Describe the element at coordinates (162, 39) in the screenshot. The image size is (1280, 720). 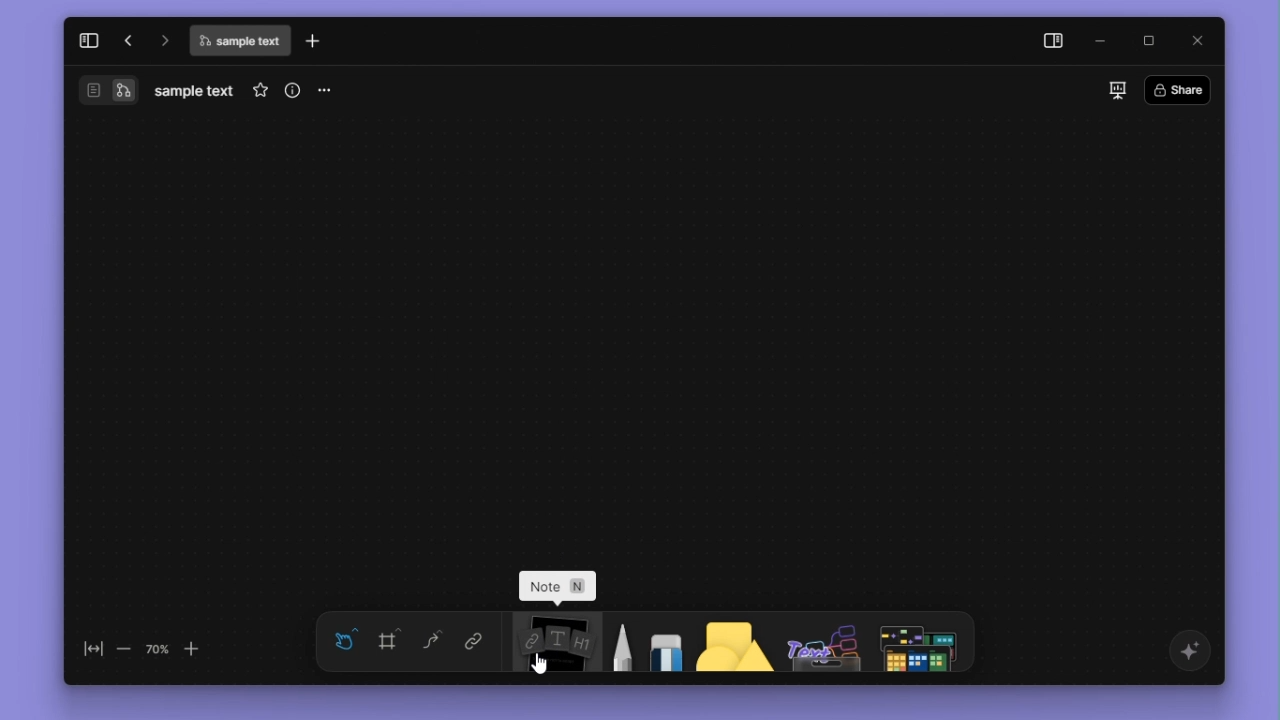
I see `go forward` at that location.